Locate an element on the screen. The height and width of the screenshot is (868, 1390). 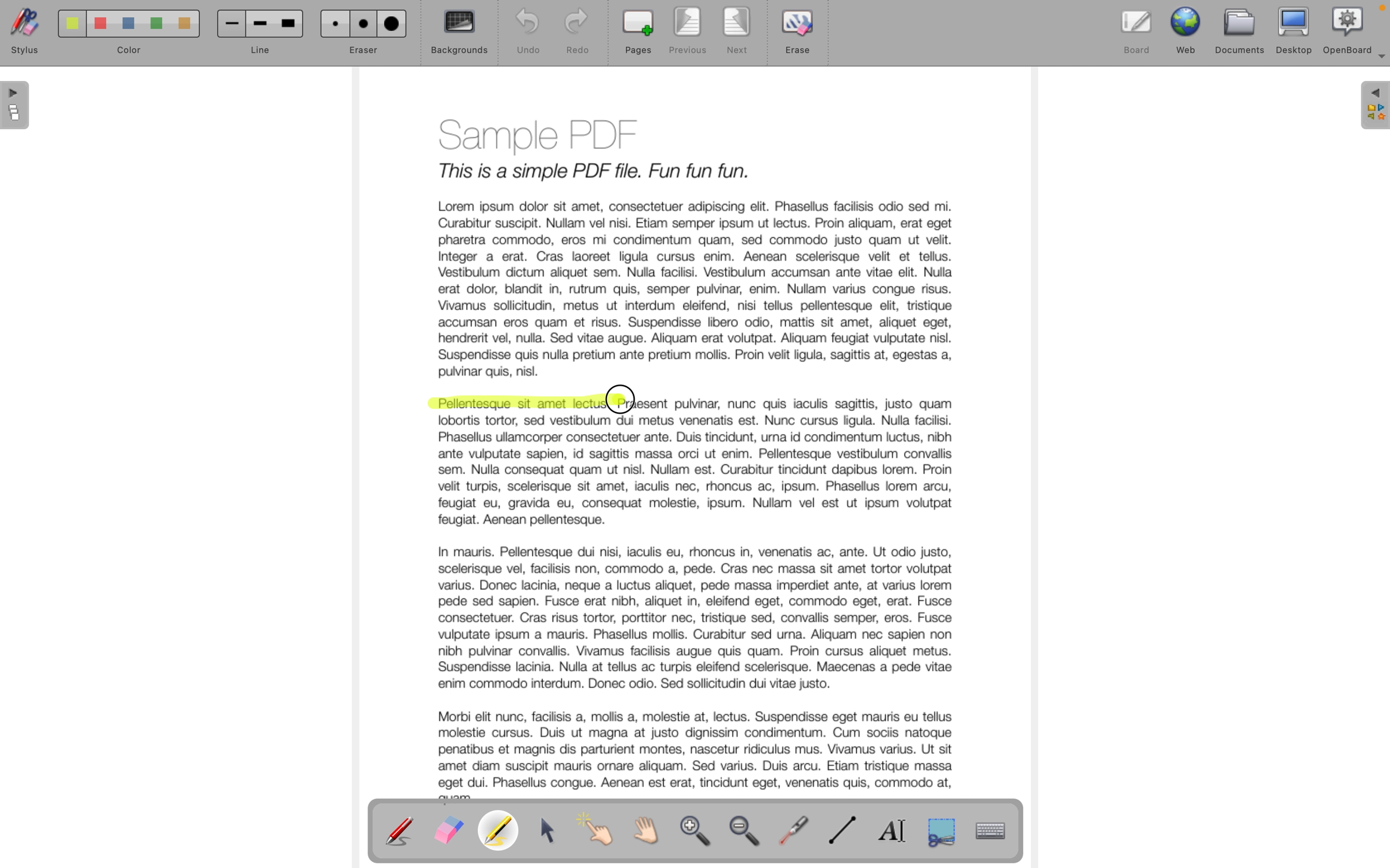
next is located at coordinates (738, 33).